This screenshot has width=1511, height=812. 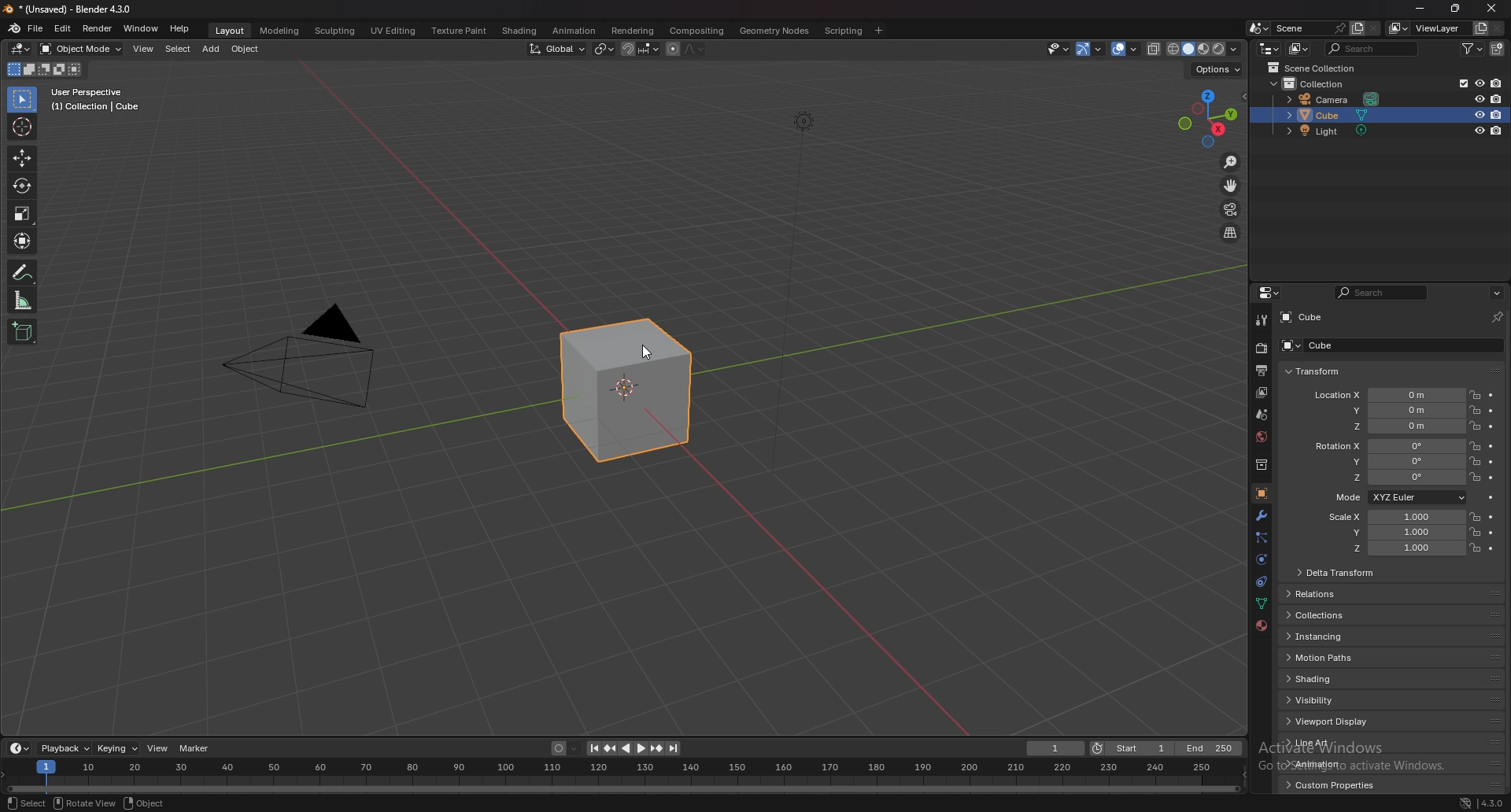 I want to click on render, so click(x=1261, y=349).